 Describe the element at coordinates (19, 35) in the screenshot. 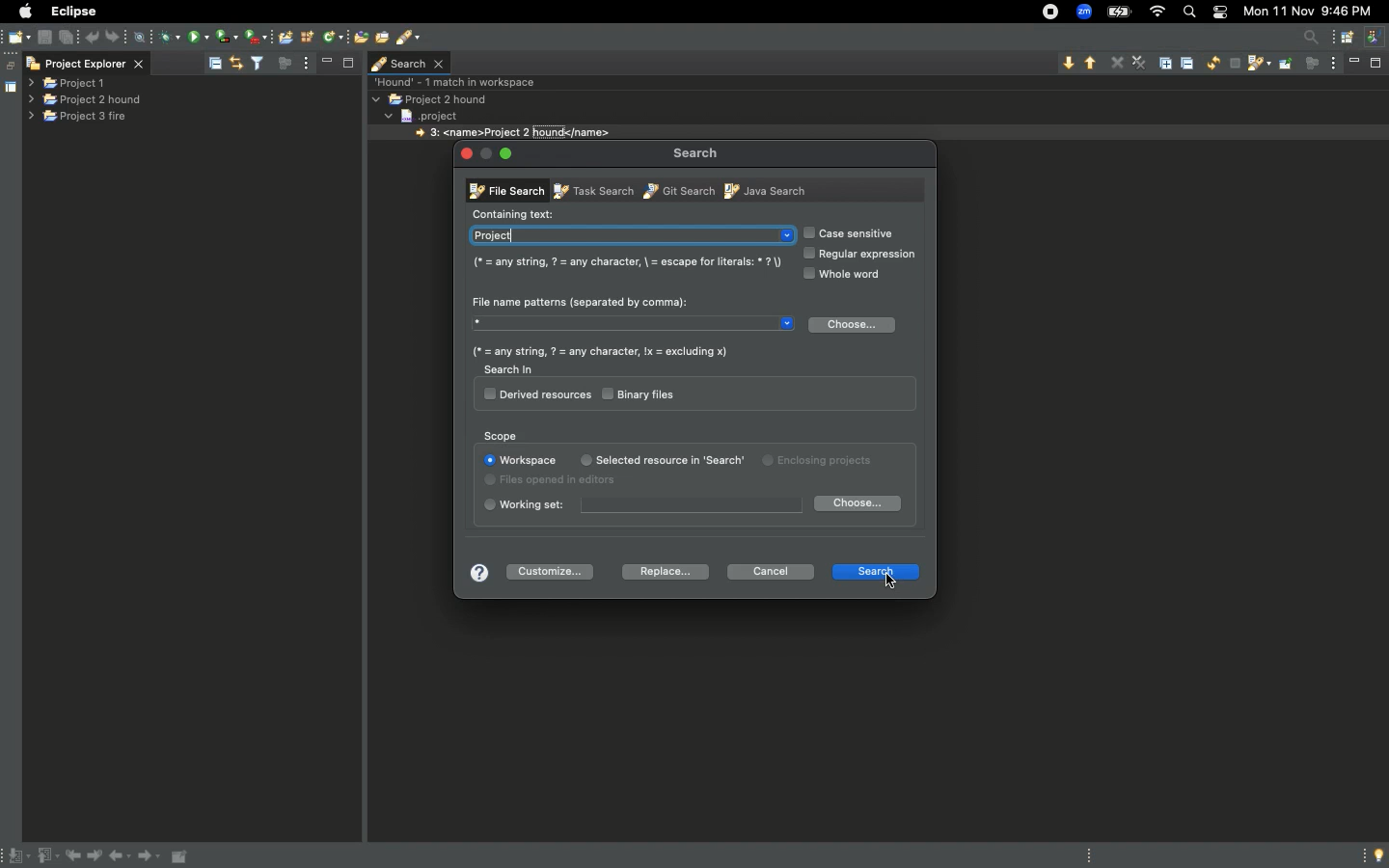

I see `new` at that location.